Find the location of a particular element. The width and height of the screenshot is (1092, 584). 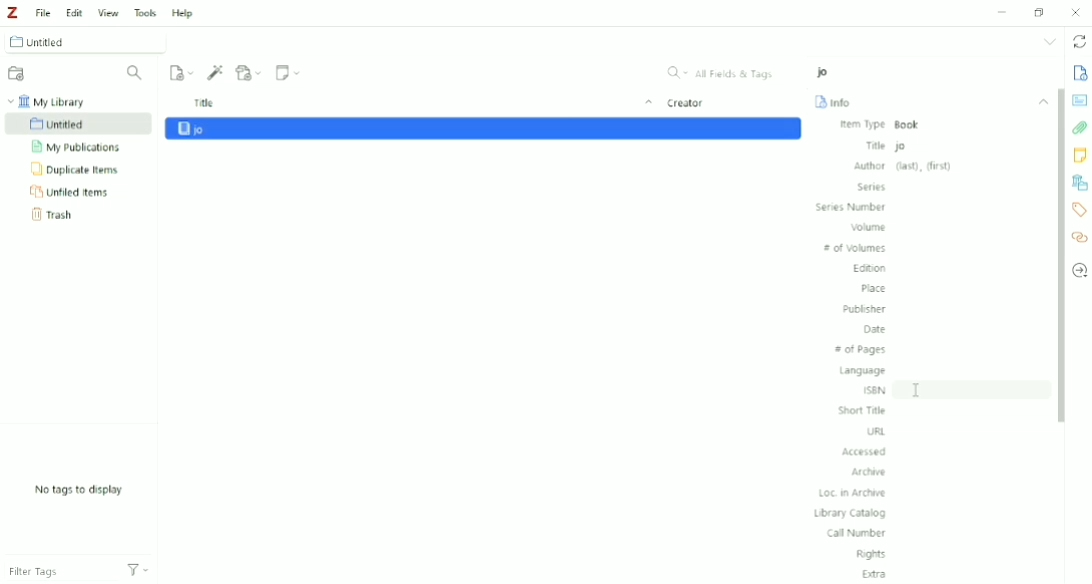

Close is located at coordinates (1074, 12).